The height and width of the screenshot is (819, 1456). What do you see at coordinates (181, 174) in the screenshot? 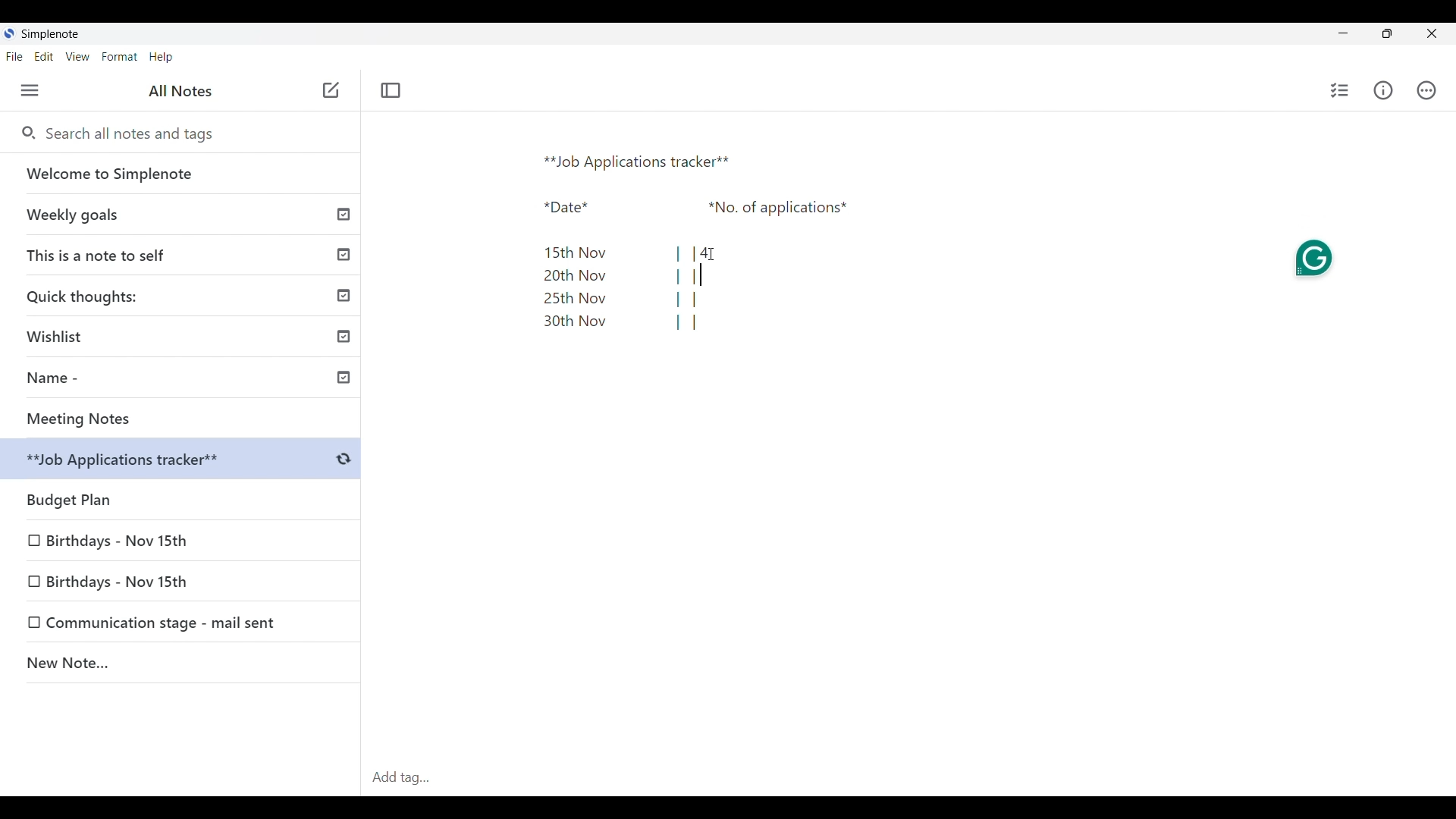
I see `Welcome to Simplenote` at bounding box center [181, 174].